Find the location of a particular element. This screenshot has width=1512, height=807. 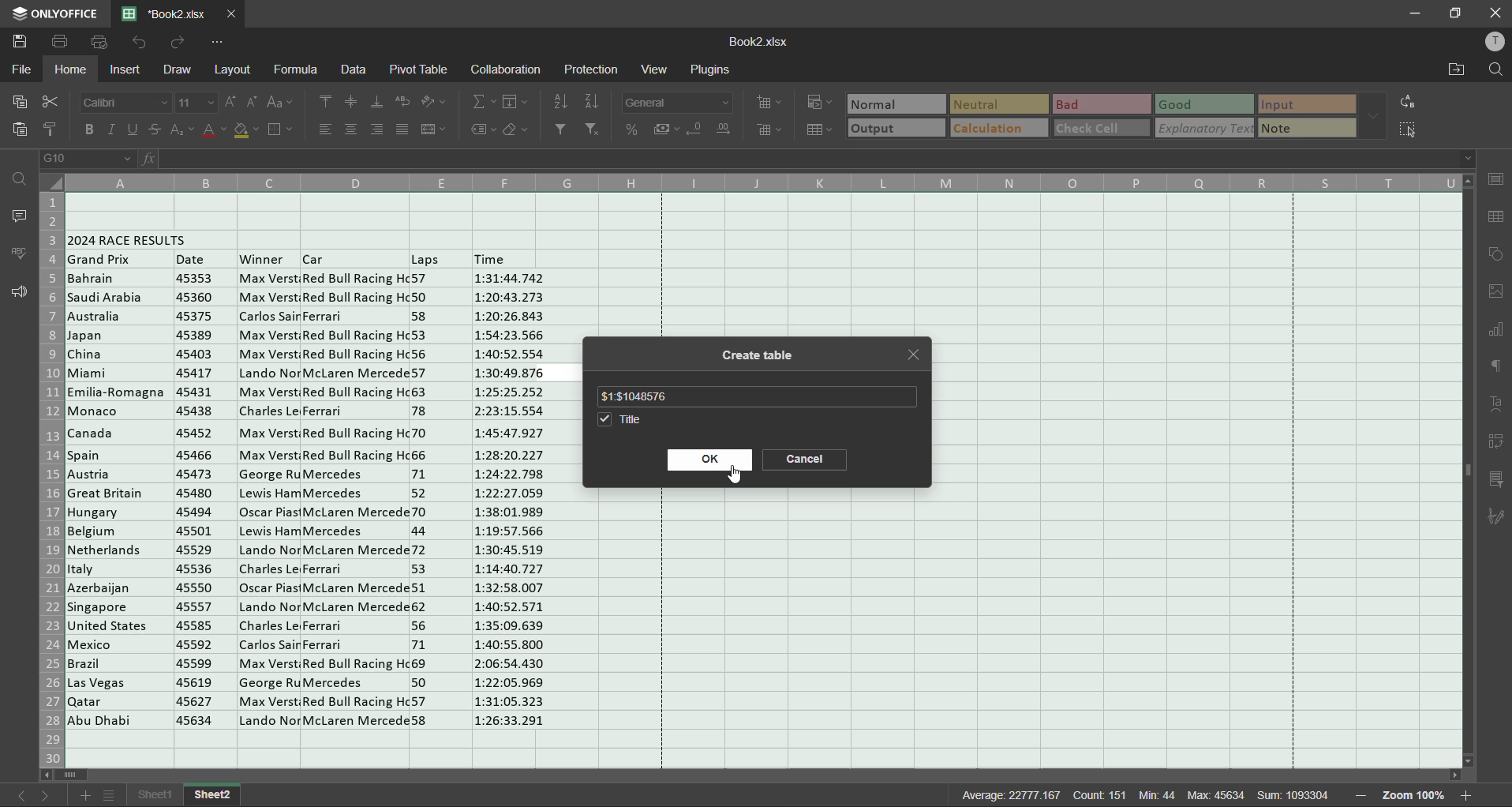

clear is located at coordinates (518, 132).